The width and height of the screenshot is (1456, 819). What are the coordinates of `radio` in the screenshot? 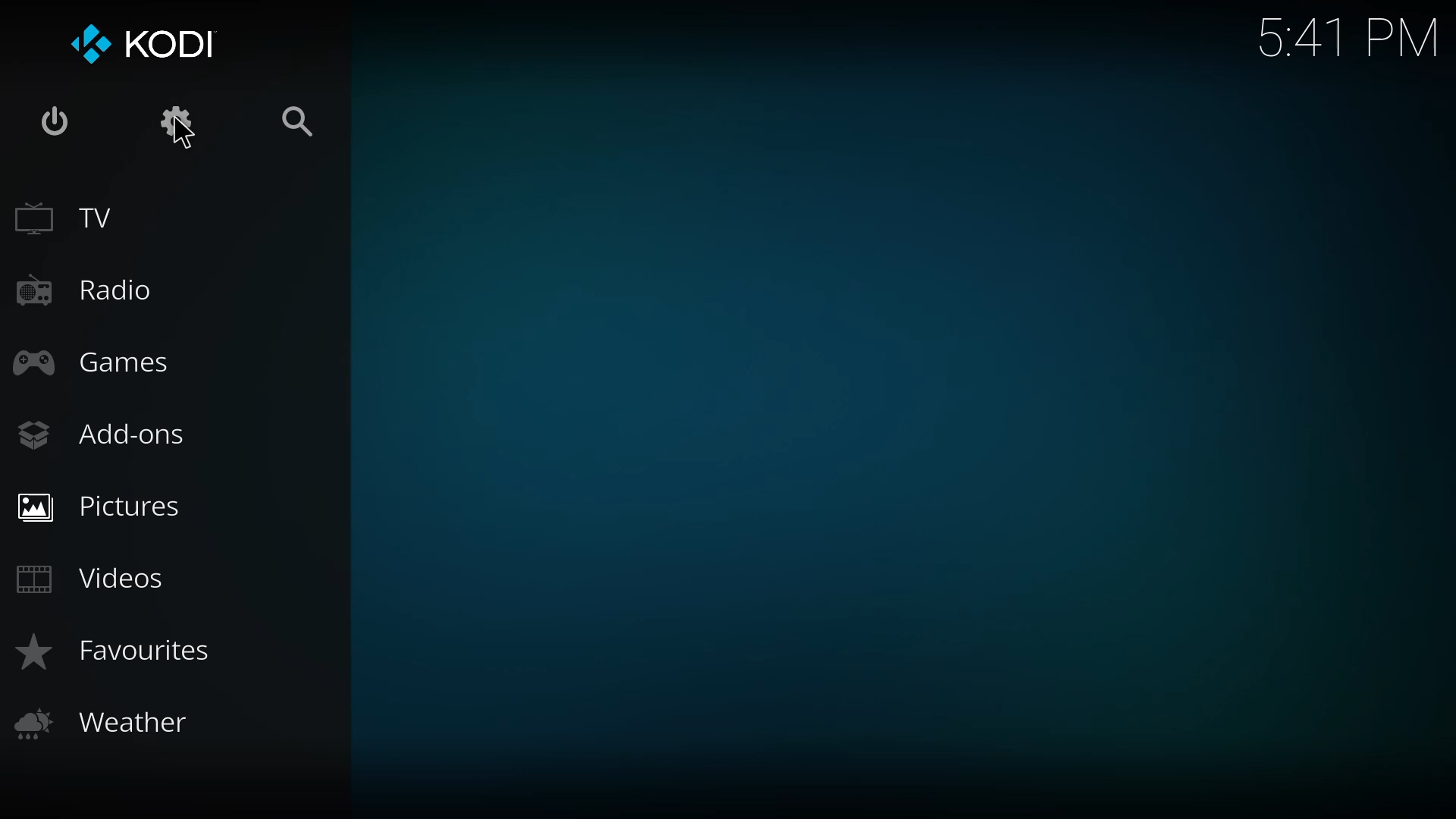 It's located at (86, 293).